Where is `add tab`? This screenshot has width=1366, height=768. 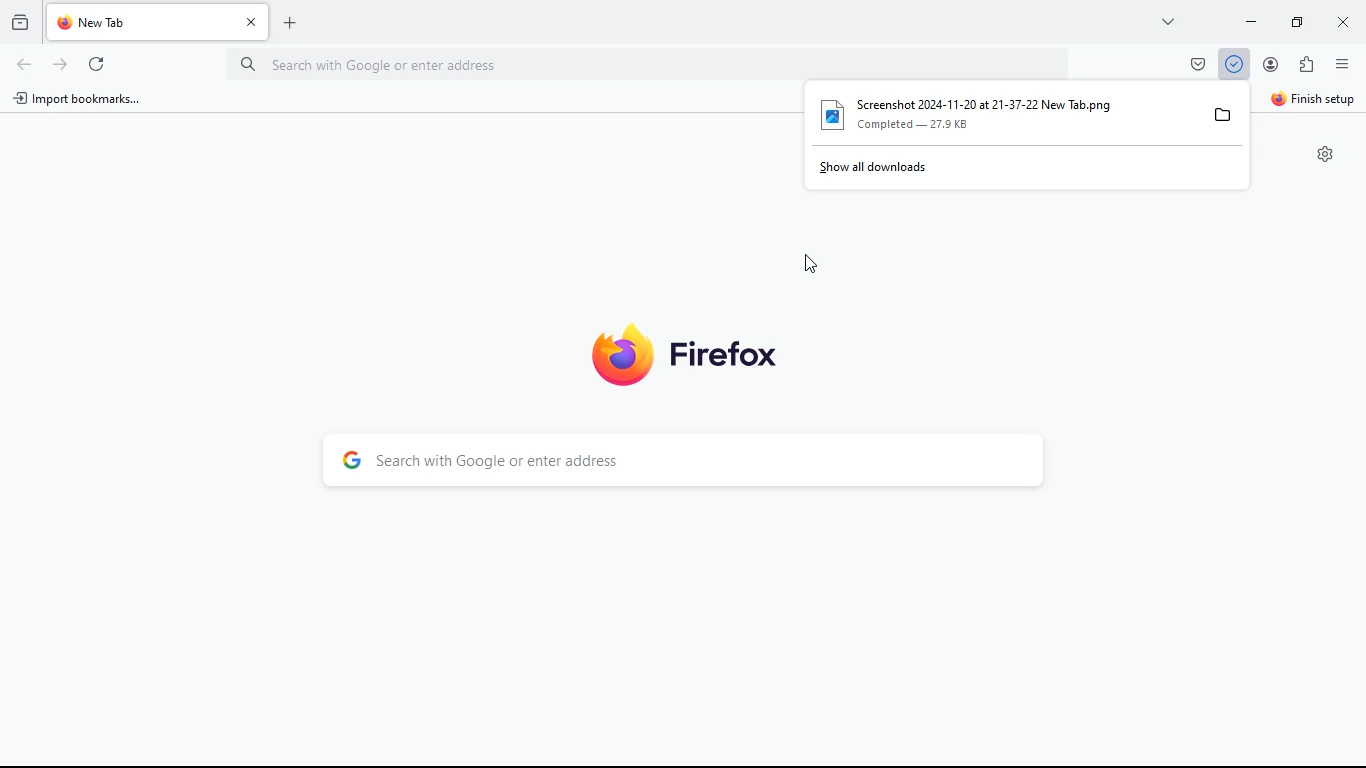
add tab is located at coordinates (289, 25).